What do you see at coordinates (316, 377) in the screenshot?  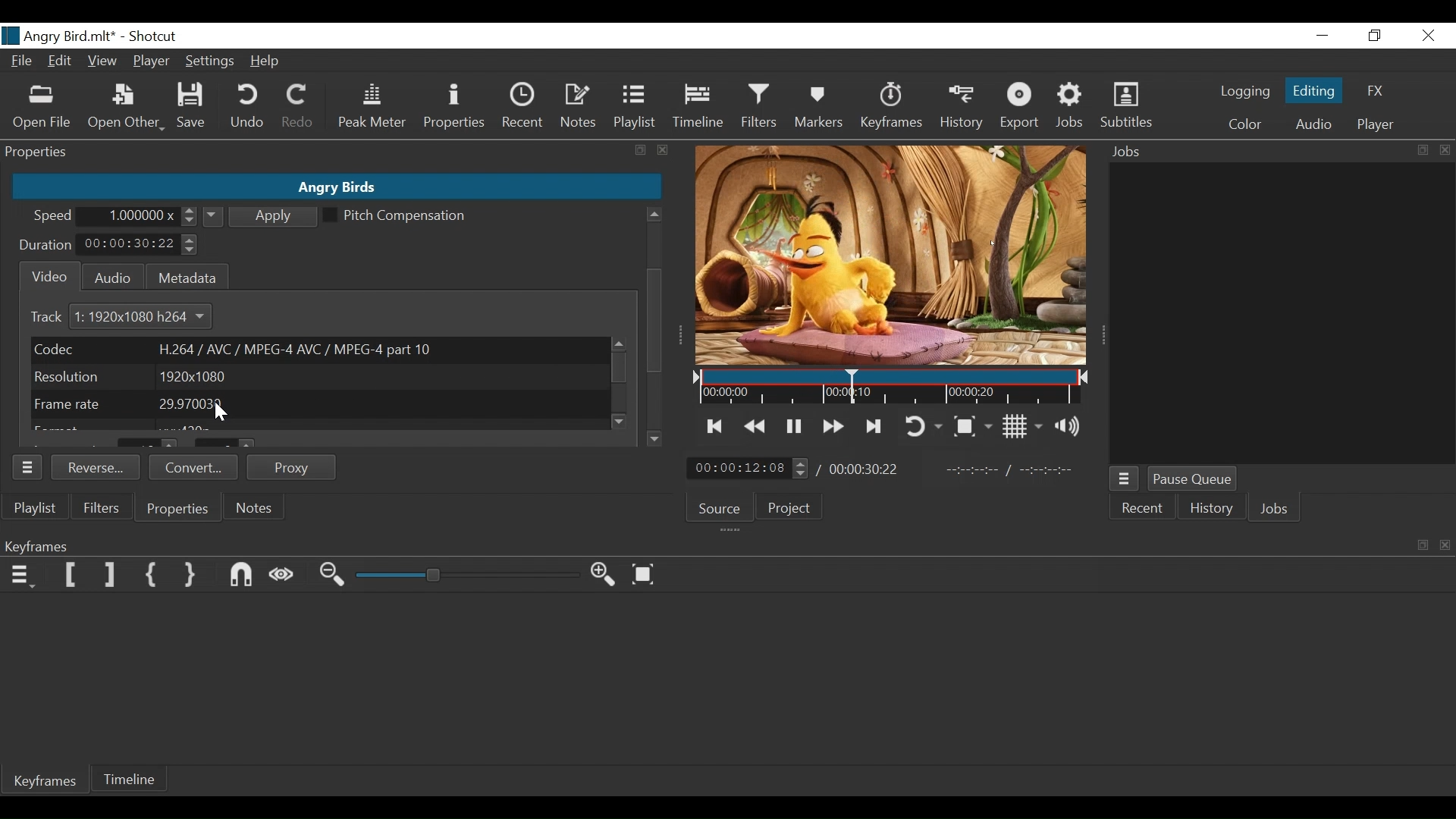 I see `Resolution` at bounding box center [316, 377].